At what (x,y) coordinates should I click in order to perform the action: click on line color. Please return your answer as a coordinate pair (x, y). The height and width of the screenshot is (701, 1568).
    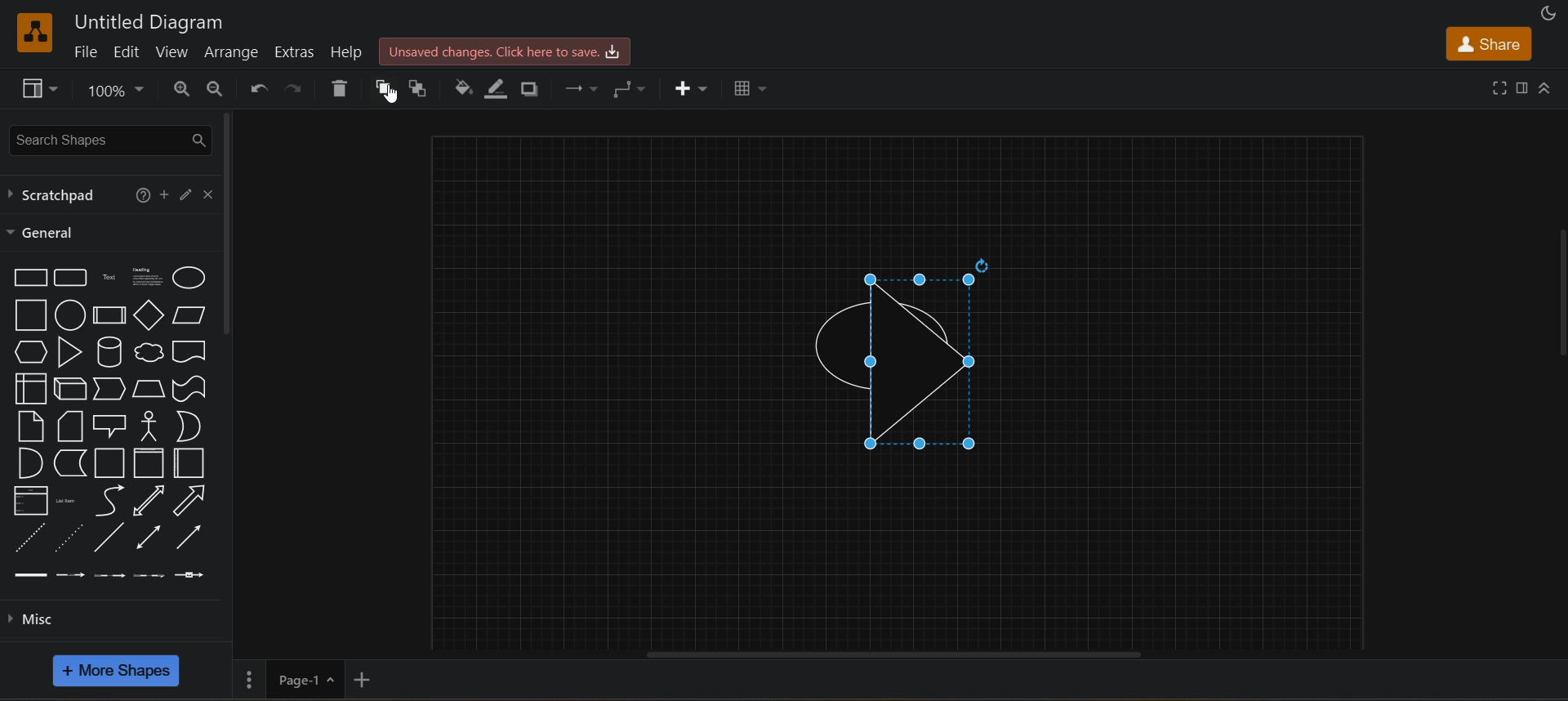
    Looking at the image, I should click on (496, 89).